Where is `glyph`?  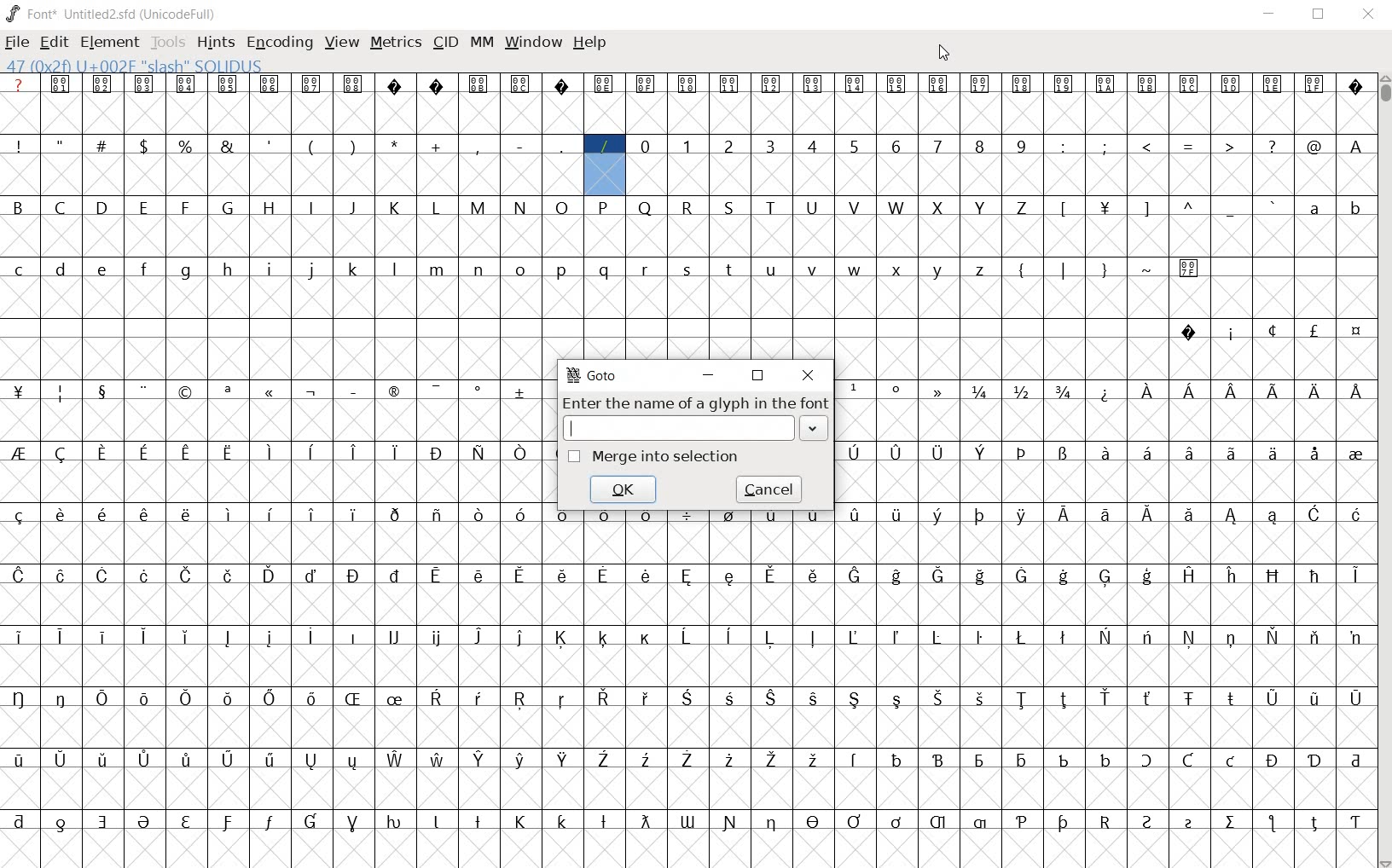 glyph is located at coordinates (645, 698).